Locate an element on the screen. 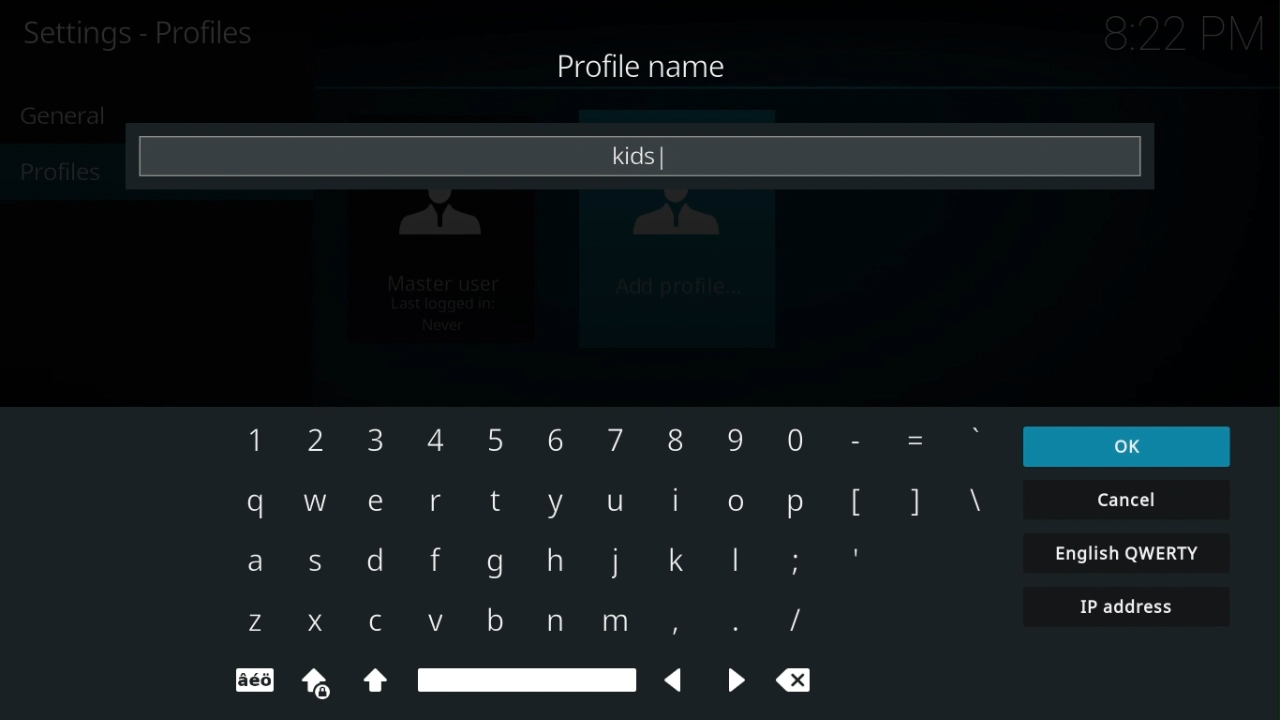 The height and width of the screenshot is (720, 1280). backward is located at coordinates (677, 680).